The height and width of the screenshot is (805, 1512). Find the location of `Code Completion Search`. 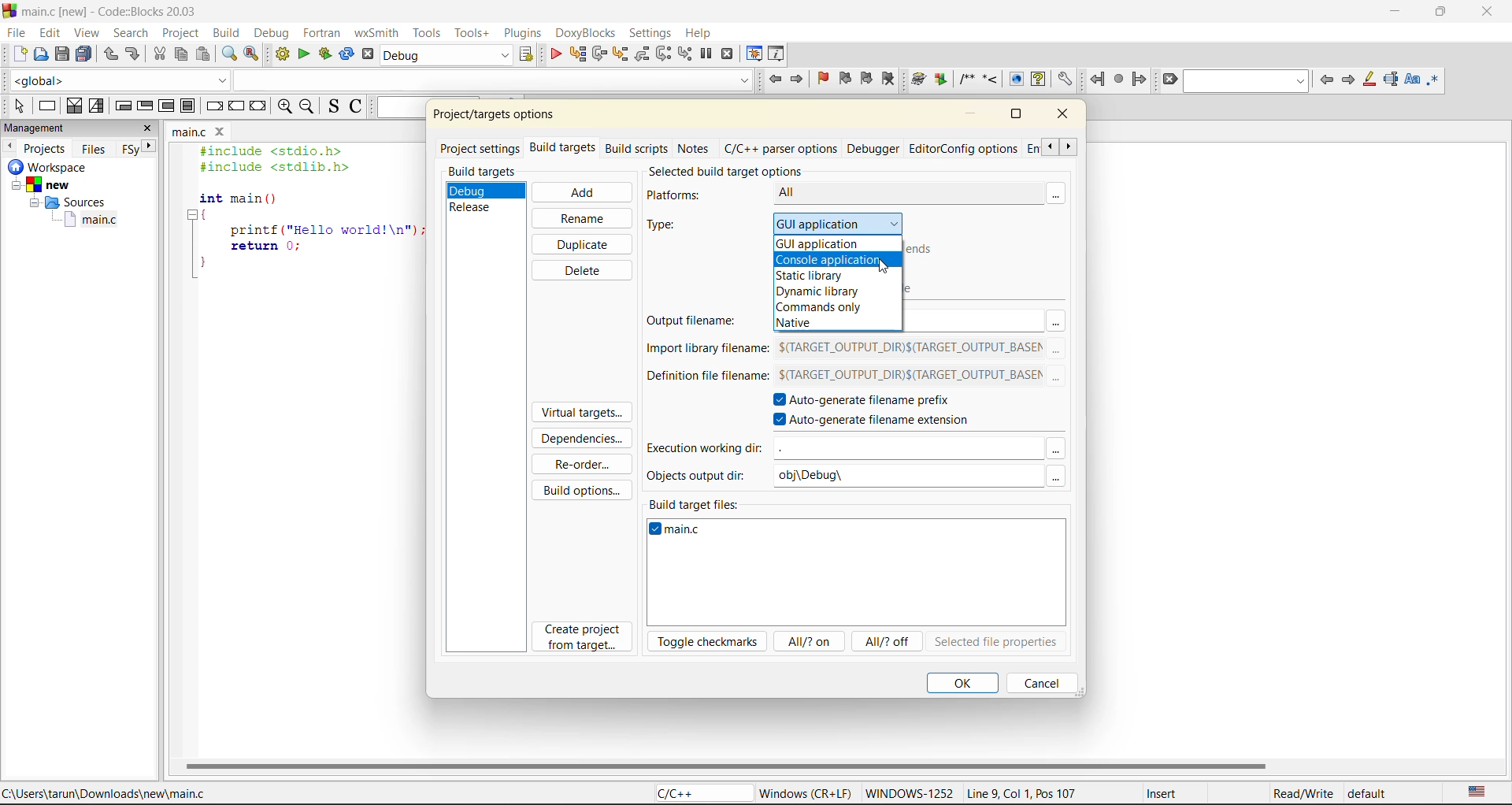

Code Completion Search is located at coordinates (493, 80).